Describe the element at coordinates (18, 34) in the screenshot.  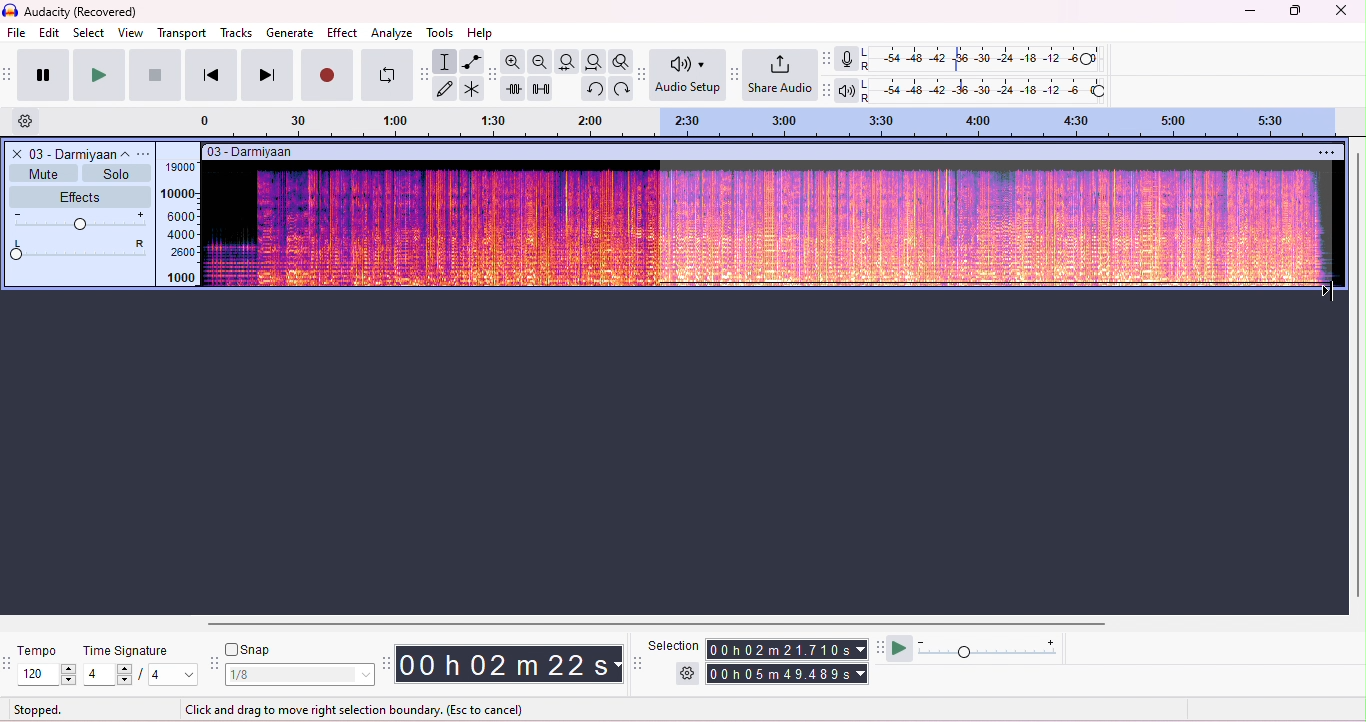
I see `file` at that location.